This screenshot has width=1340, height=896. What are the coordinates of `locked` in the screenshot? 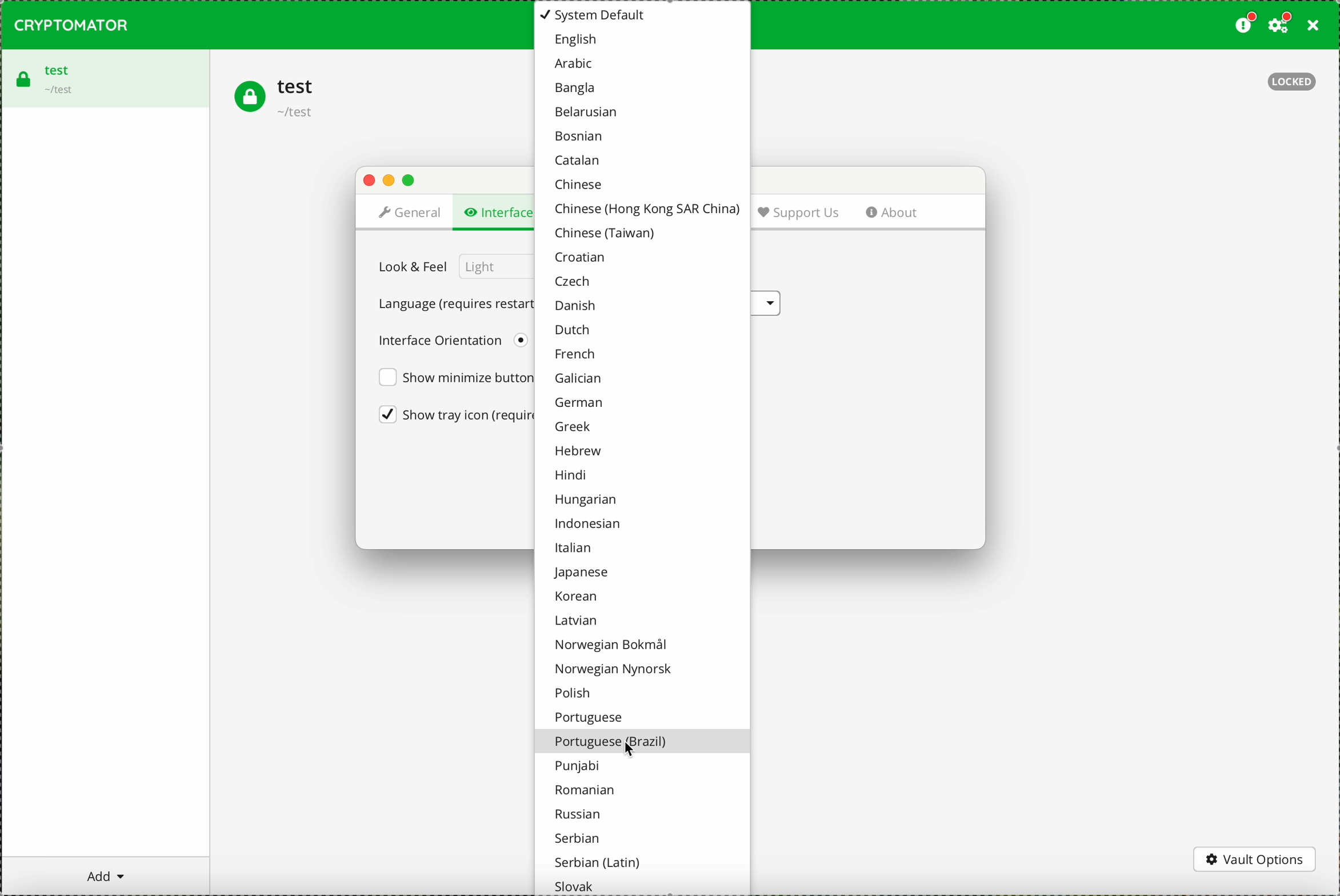 It's located at (1292, 82).